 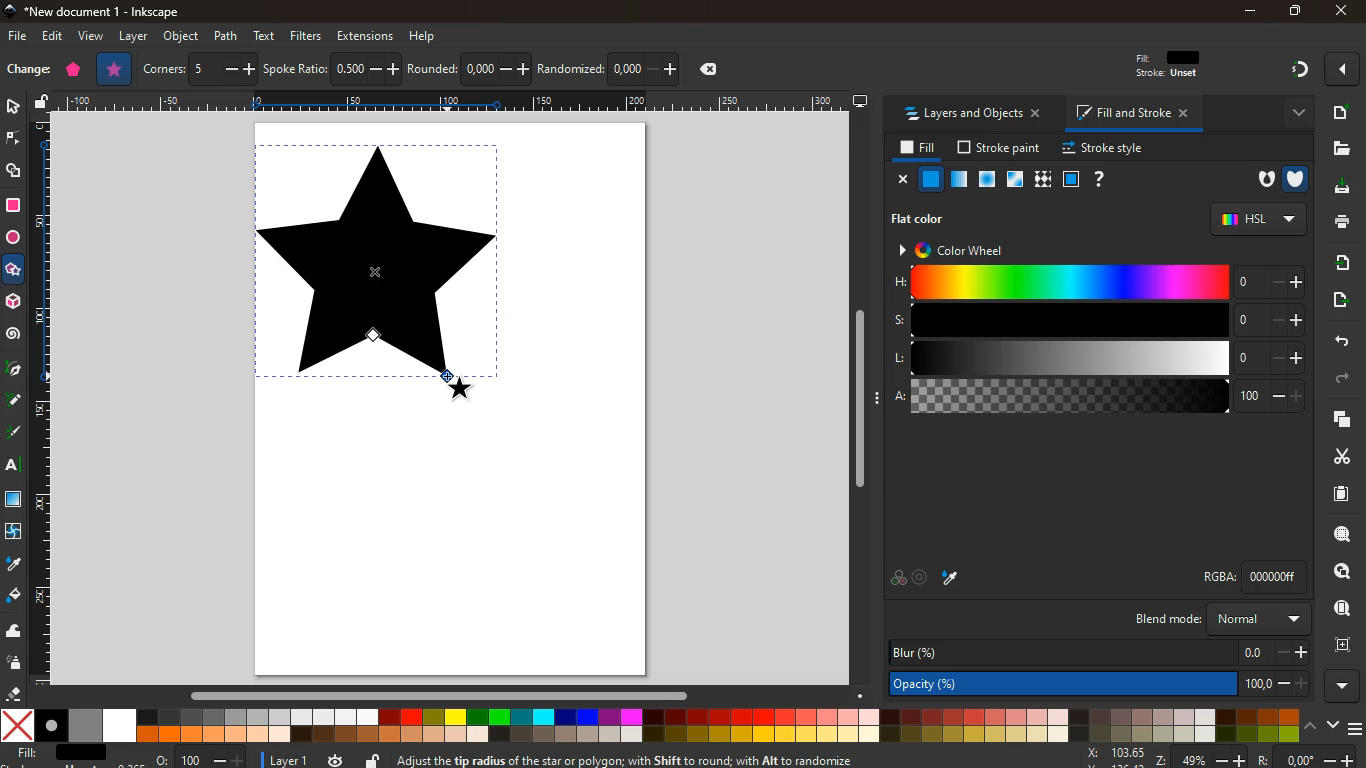 I want to click on color wheel, so click(x=958, y=251).